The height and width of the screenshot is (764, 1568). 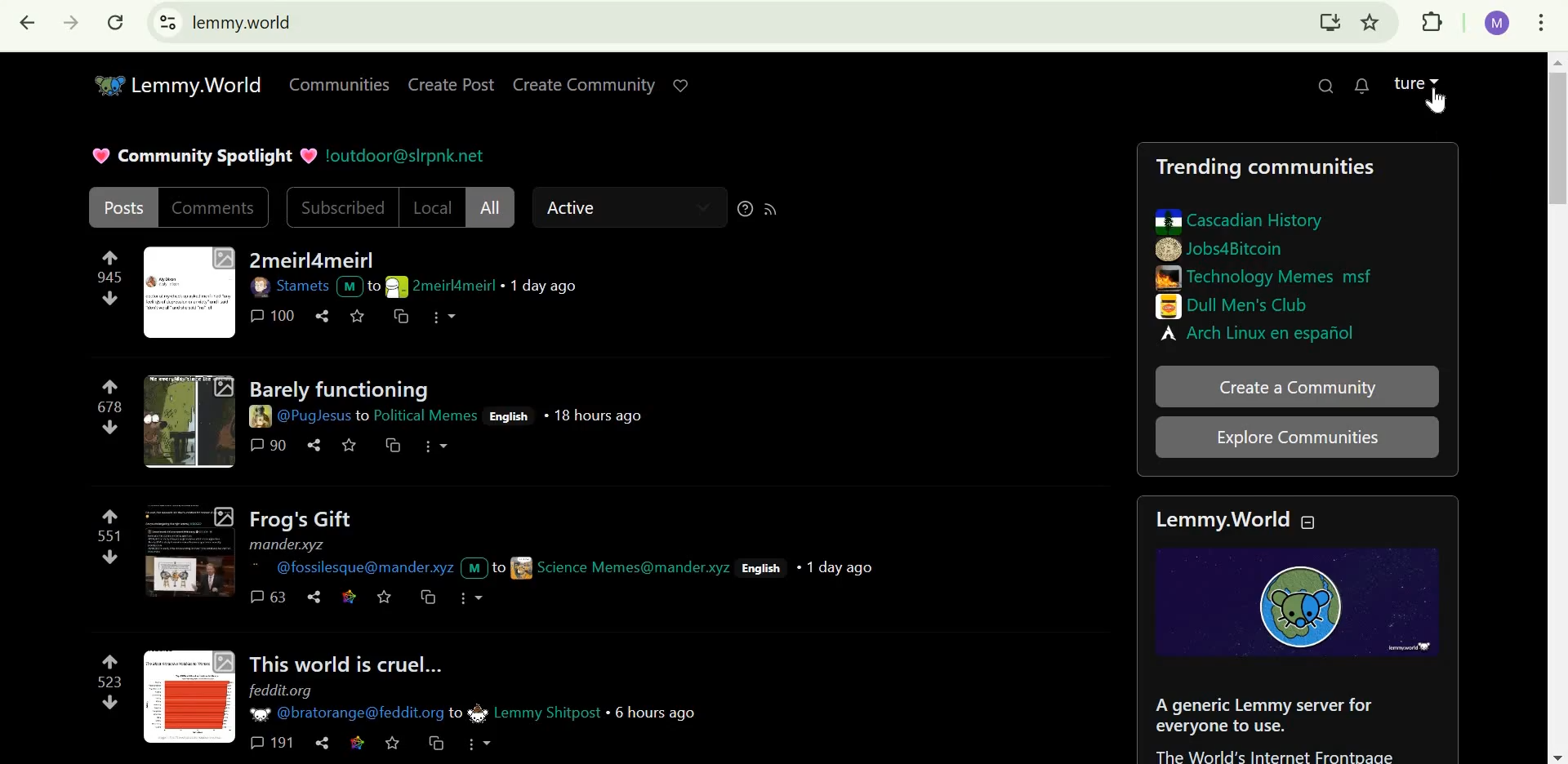 What do you see at coordinates (480, 744) in the screenshot?
I see `more` at bounding box center [480, 744].